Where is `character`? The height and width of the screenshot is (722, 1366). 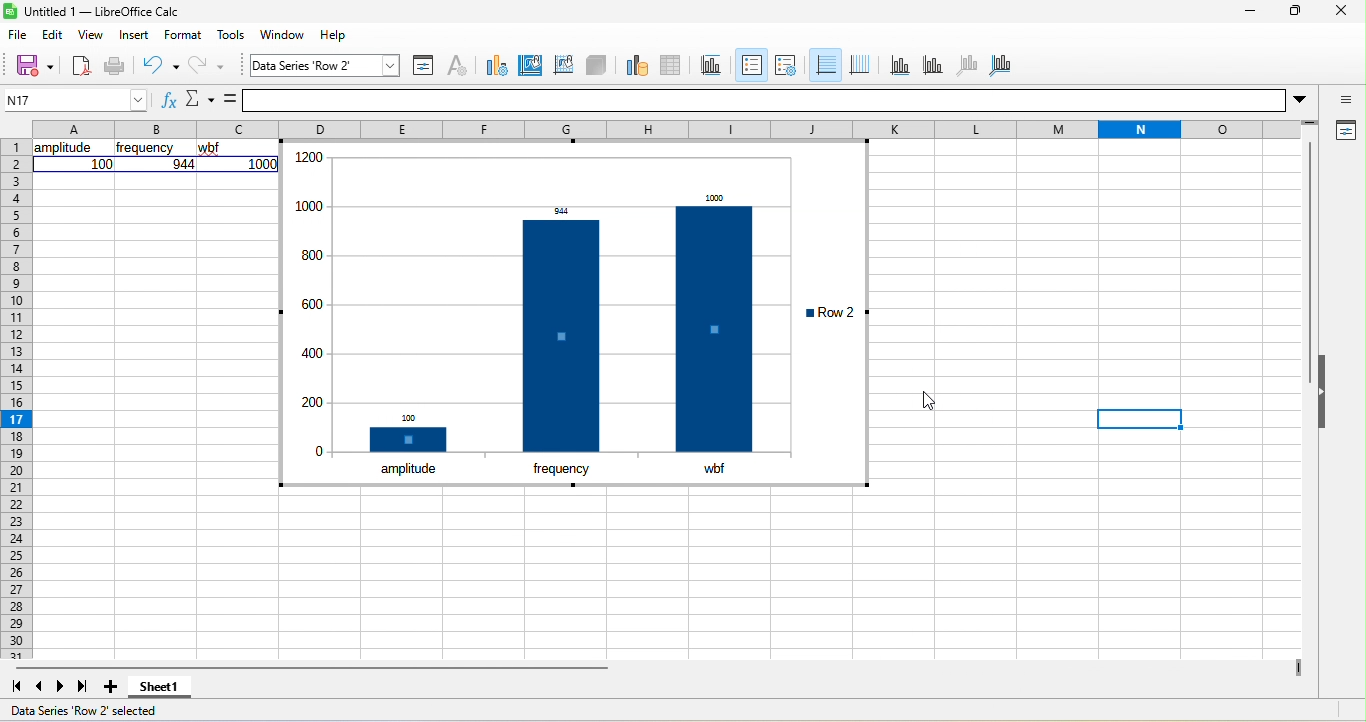
character is located at coordinates (459, 65).